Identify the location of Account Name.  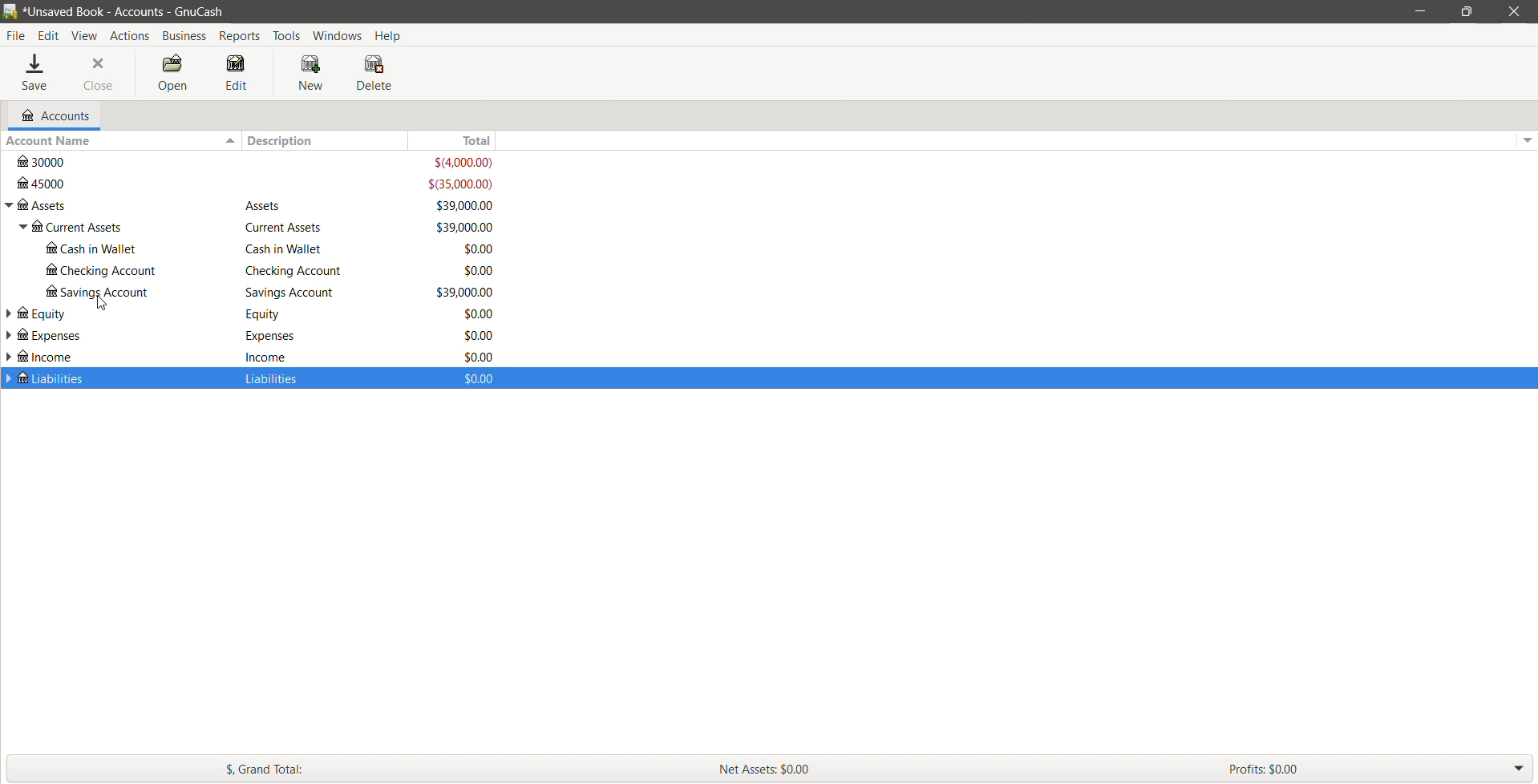
(120, 141).